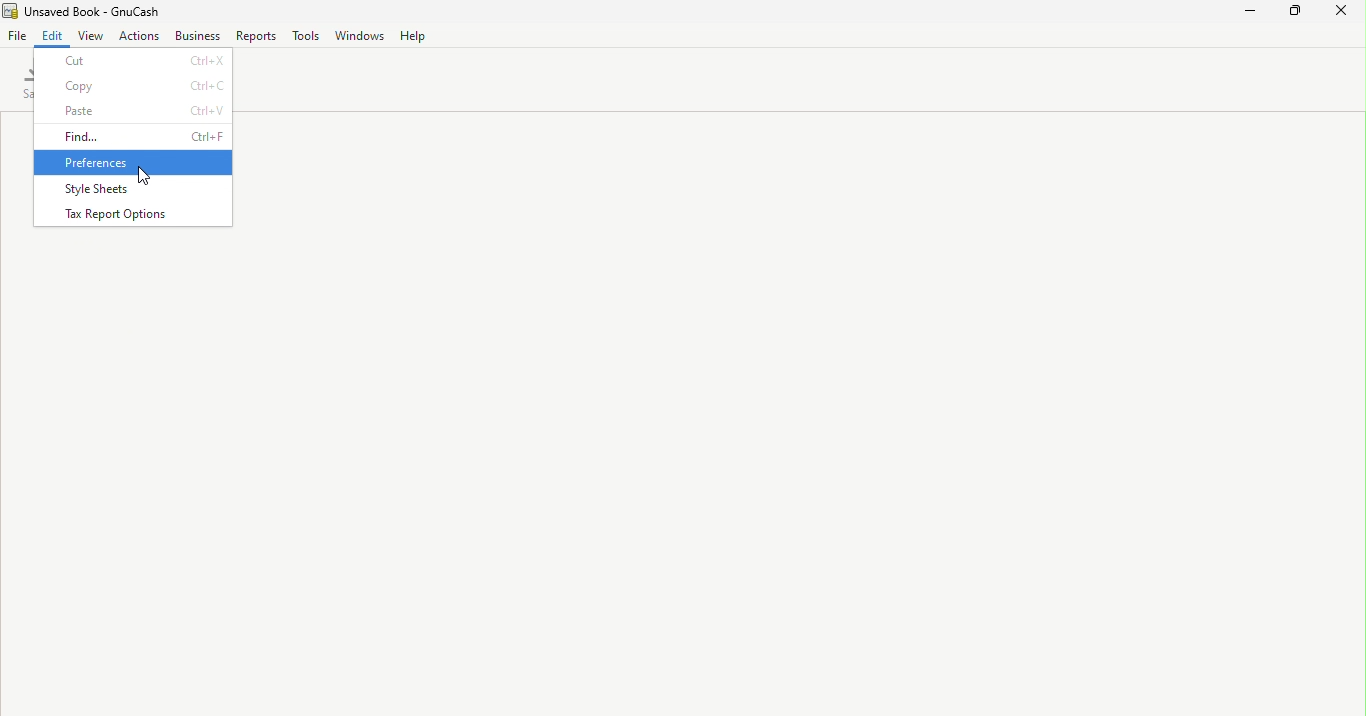 This screenshot has width=1366, height=716. What do you see at coordinates (134, 85) in the screenshot?
I see `Copy` at bounding box center [134, 85].